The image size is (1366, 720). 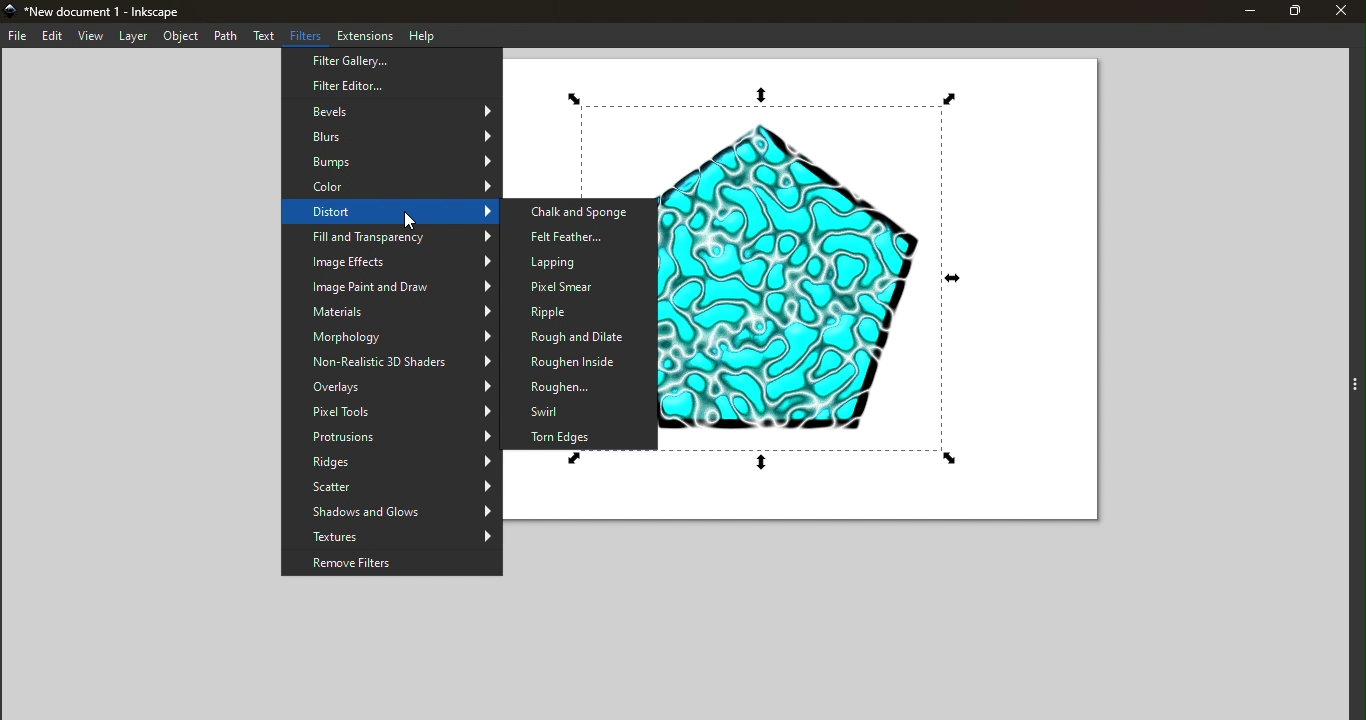 I want to click on Fill and Transparency, so click(x=389, y=240).